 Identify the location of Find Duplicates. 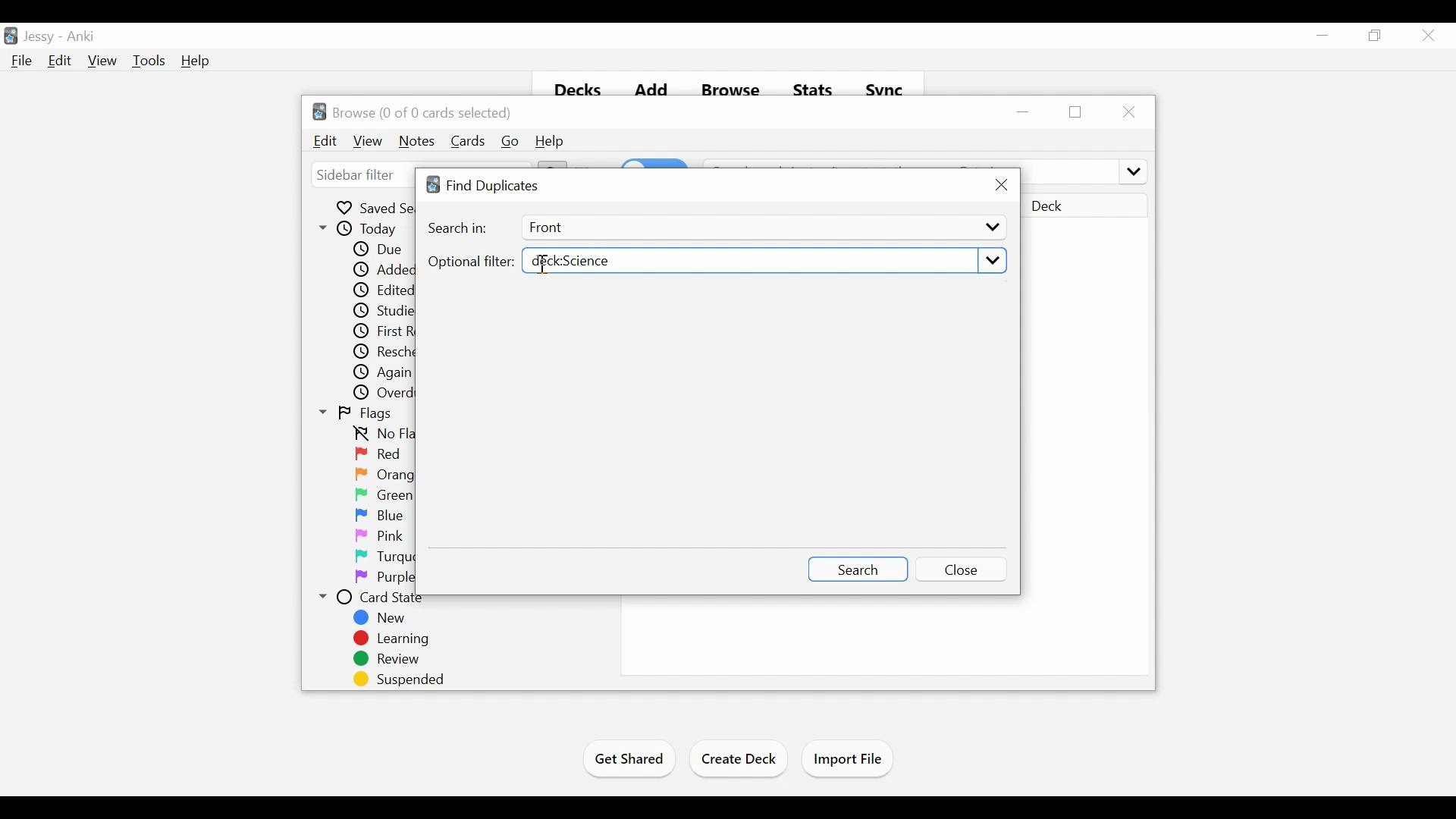
(485, 186).